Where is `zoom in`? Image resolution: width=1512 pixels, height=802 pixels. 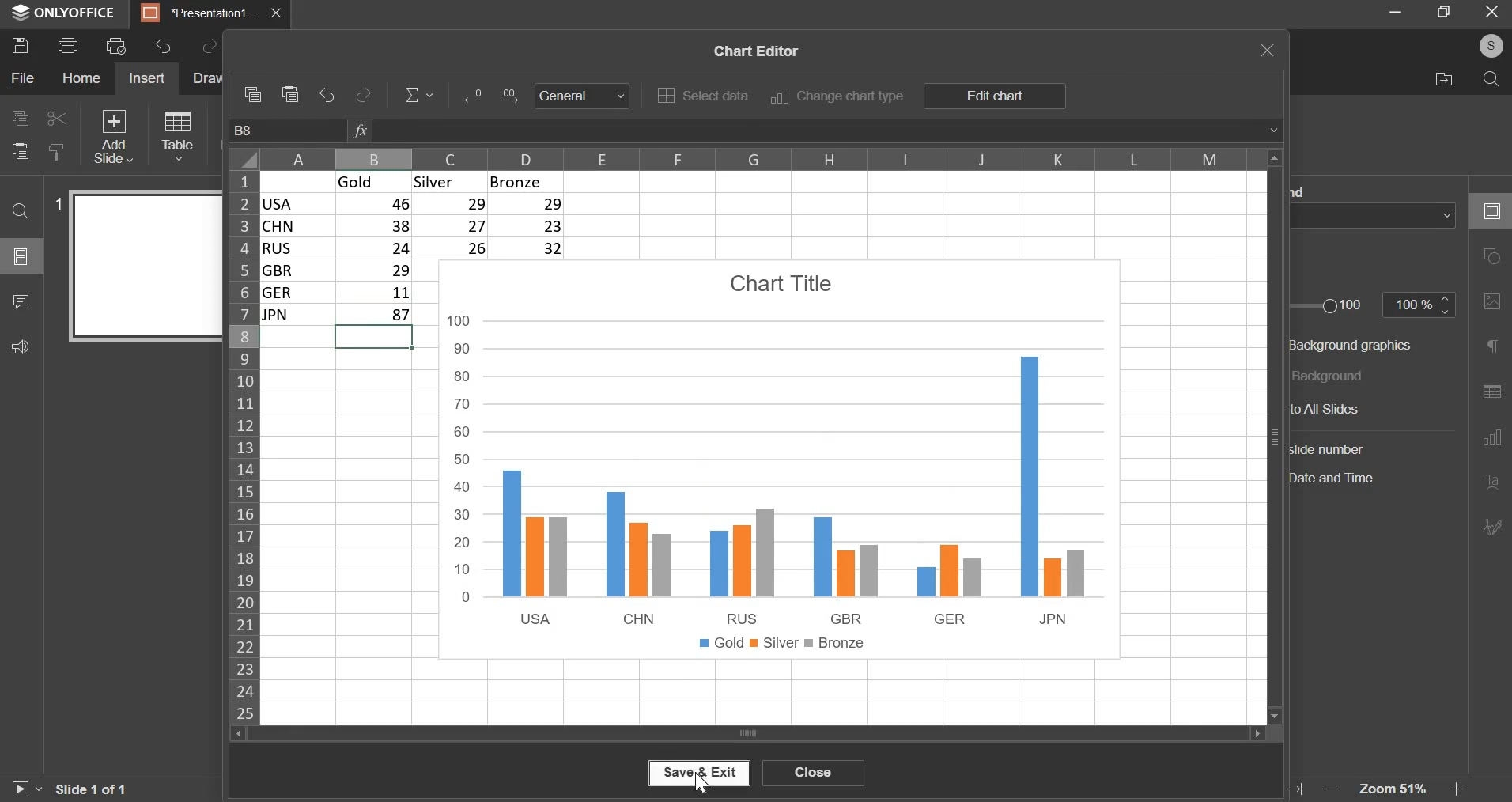 zoom in is located at coordinates (1457, 790).